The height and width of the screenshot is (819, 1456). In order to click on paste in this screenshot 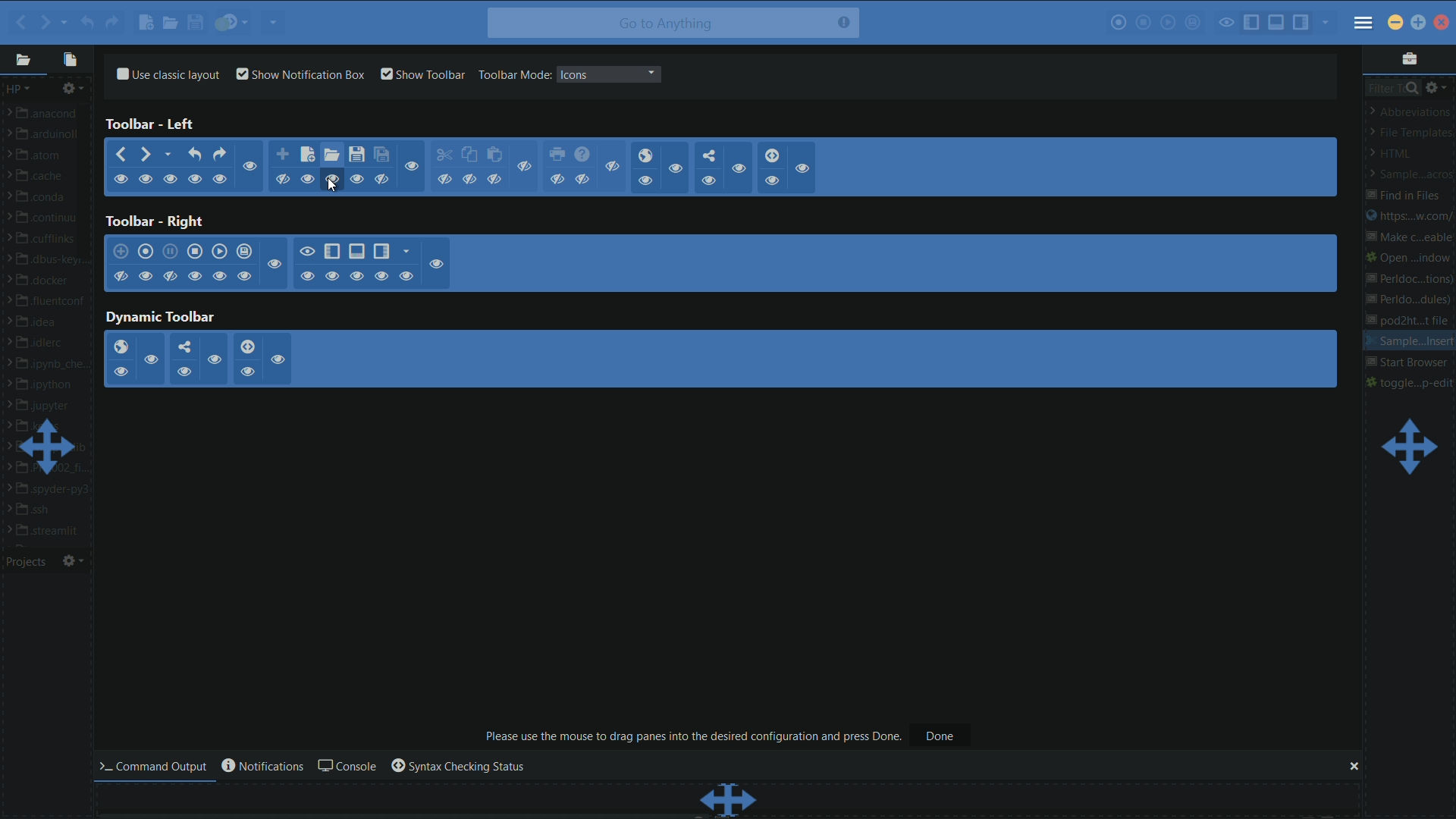, I will do `click(496, 155)`.